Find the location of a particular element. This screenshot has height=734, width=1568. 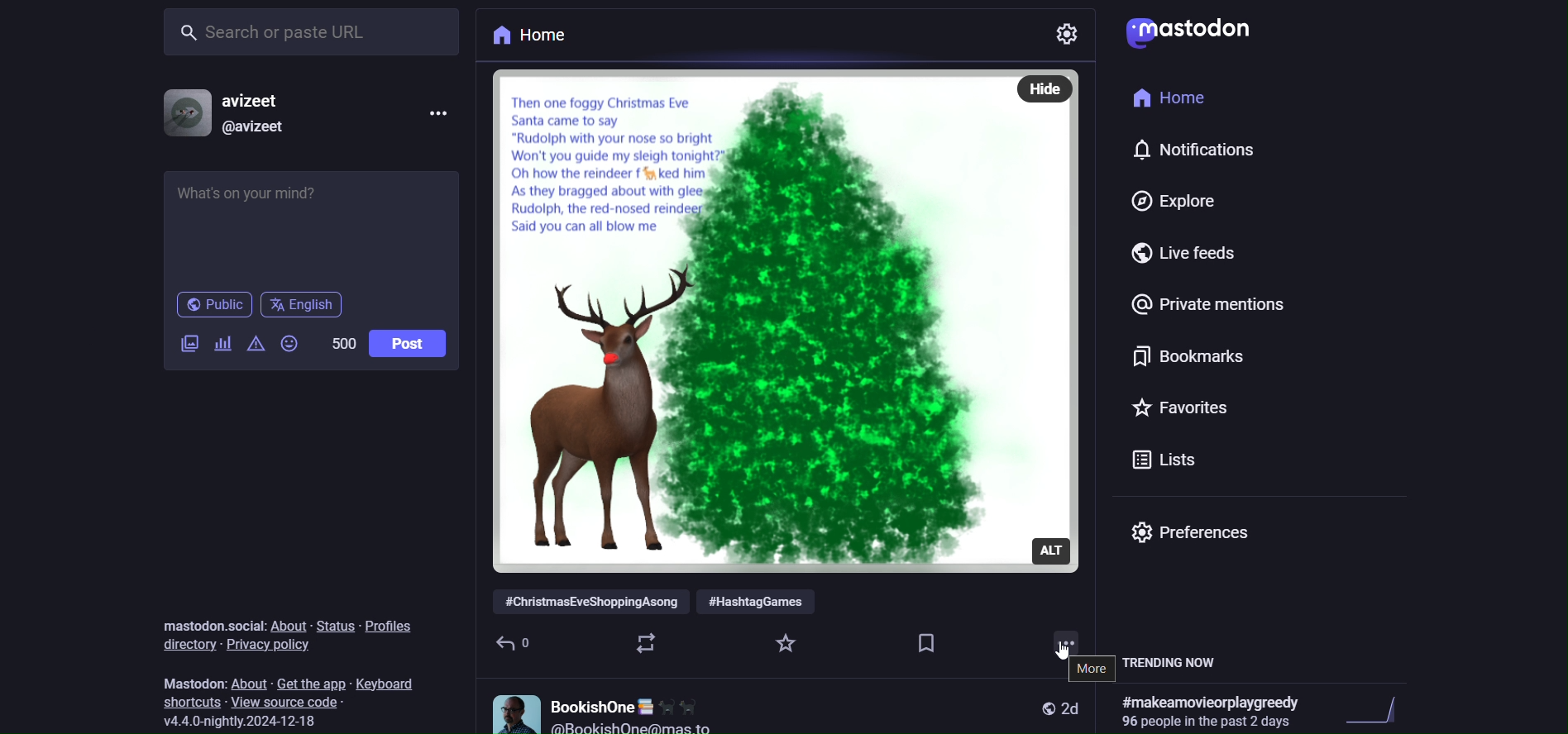

reply is located at coordinates (517, 641).